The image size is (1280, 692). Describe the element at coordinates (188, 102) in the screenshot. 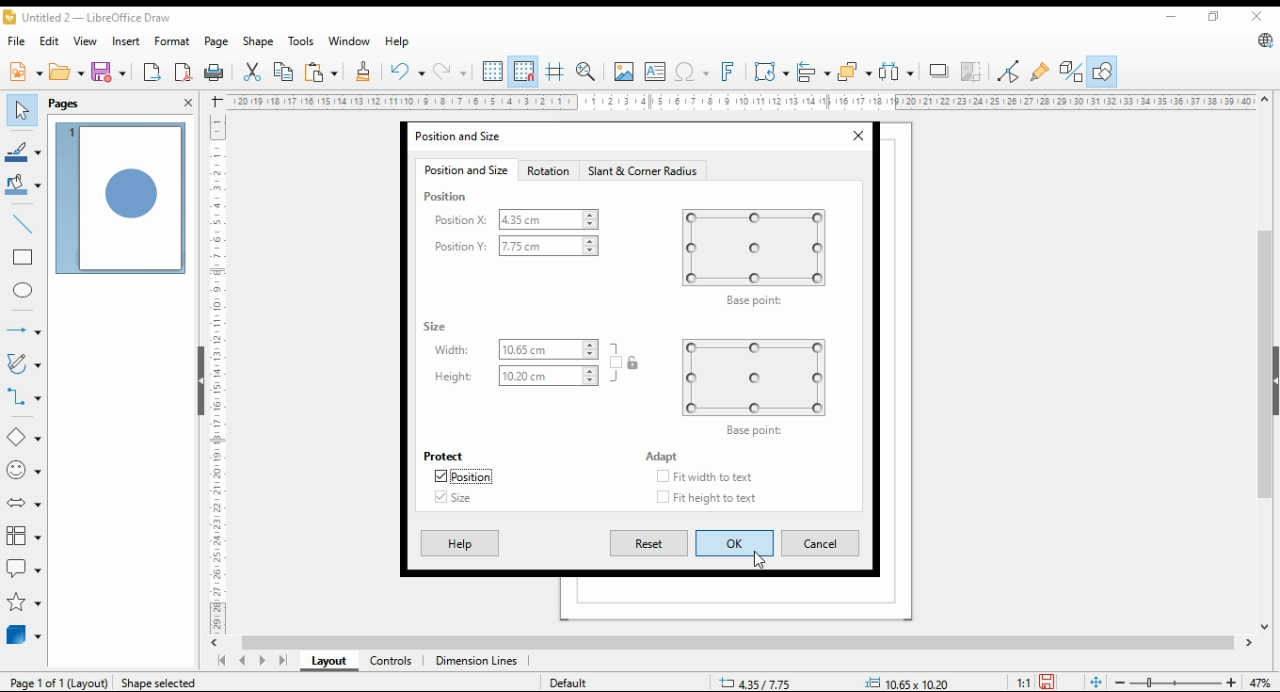

I see `close pane` at that location.